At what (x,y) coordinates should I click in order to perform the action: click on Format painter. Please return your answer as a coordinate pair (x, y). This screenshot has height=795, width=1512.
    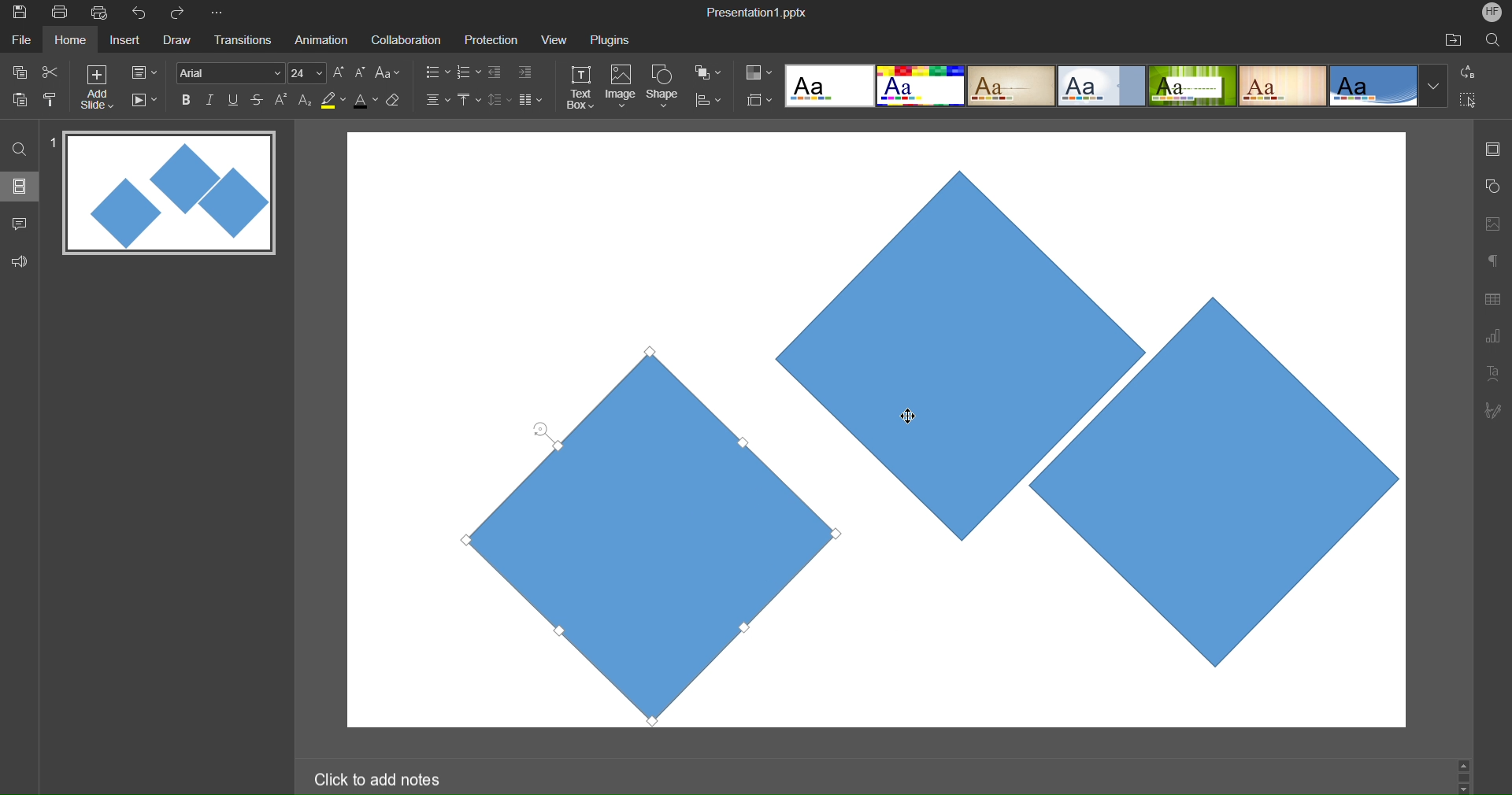
    Looking at the image, I should click on (53, 99).